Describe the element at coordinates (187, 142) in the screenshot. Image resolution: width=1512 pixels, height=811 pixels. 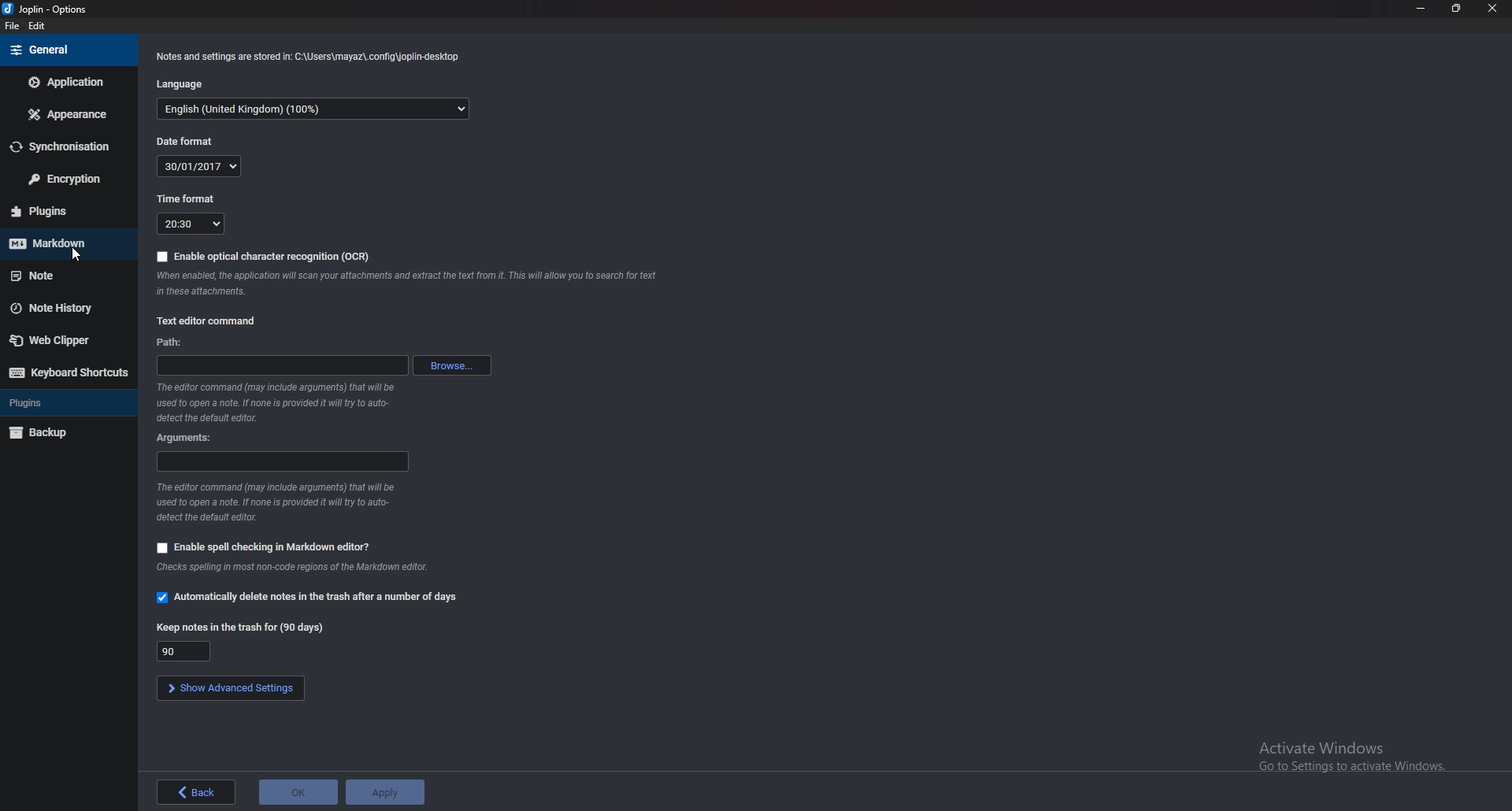
I see `Date format` at that location.